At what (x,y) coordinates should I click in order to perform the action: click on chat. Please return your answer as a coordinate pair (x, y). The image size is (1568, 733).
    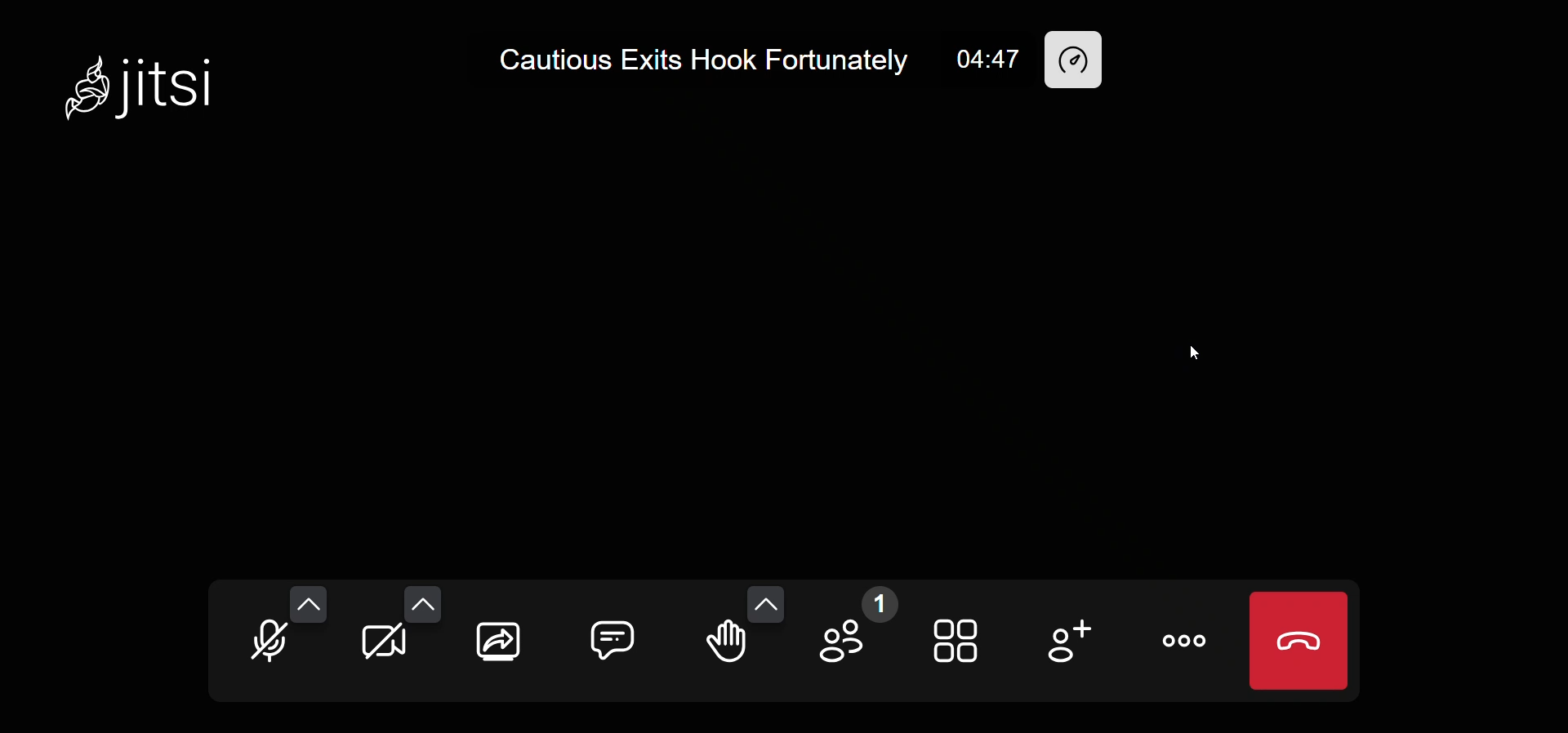
    Looking at the image, I should click on (609, 635).